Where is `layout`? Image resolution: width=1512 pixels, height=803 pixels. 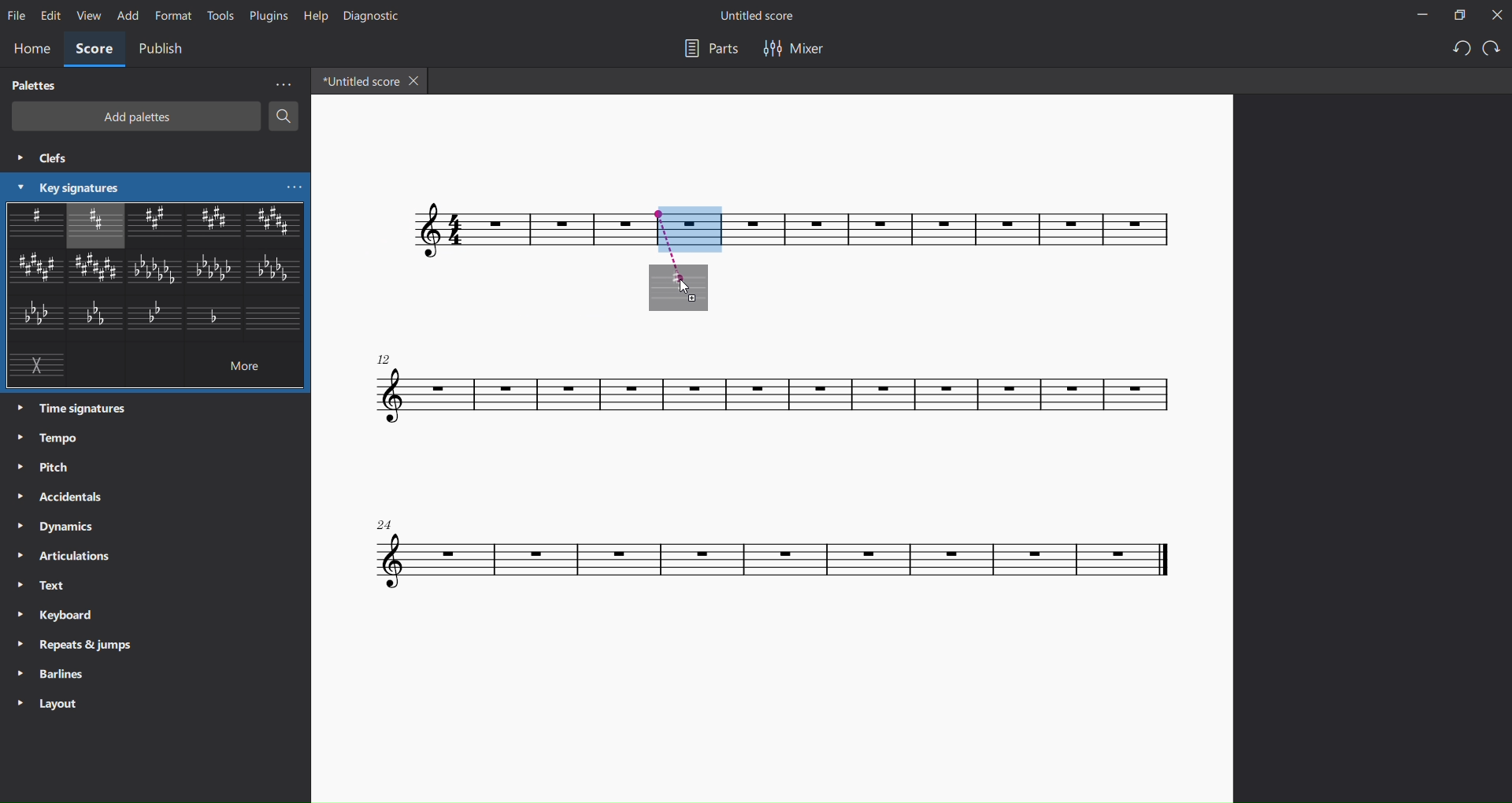
layout is located at coordinates (53, 705).